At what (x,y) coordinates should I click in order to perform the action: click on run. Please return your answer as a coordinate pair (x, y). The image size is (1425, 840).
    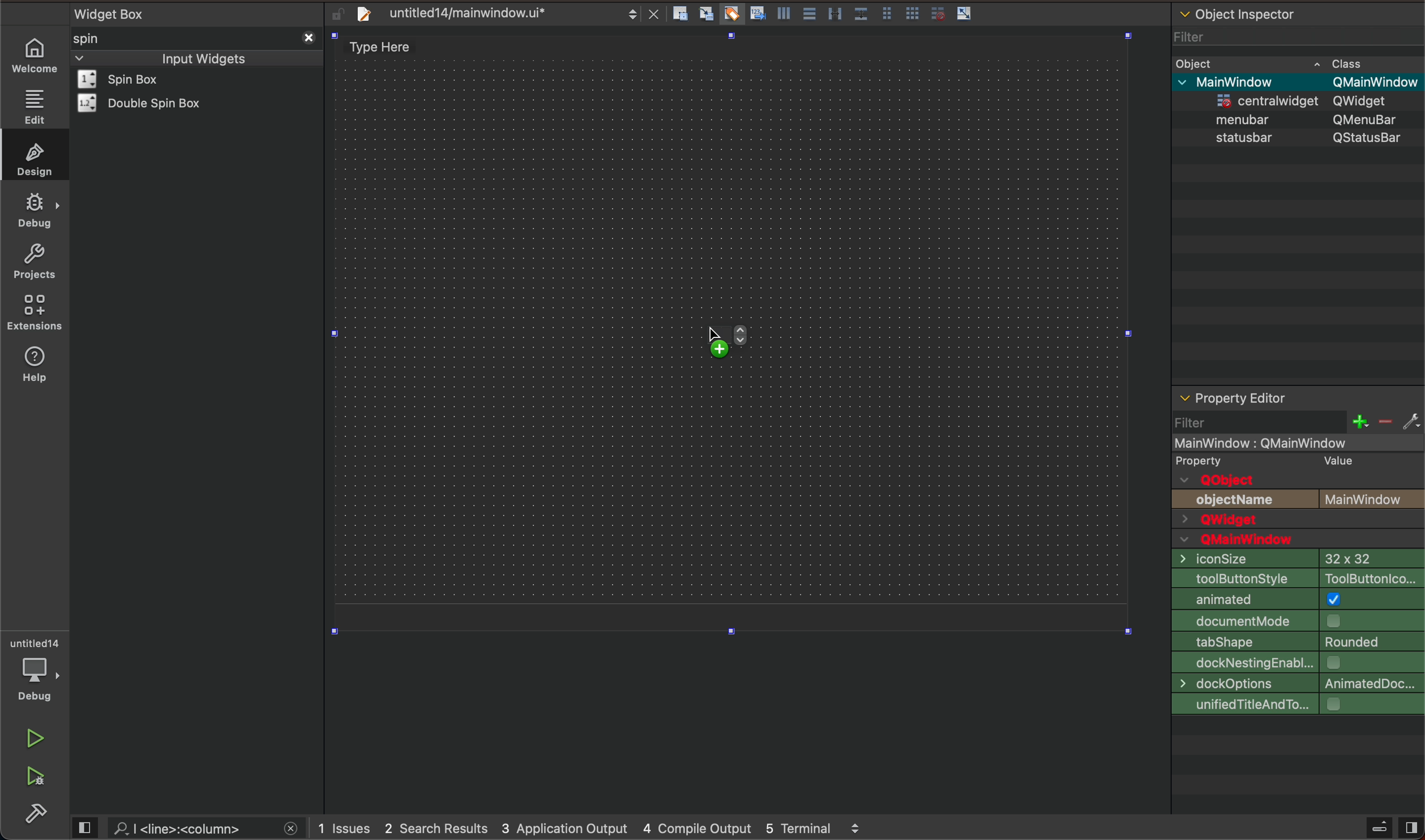
    Looking at the image, I should click on (33, 739).